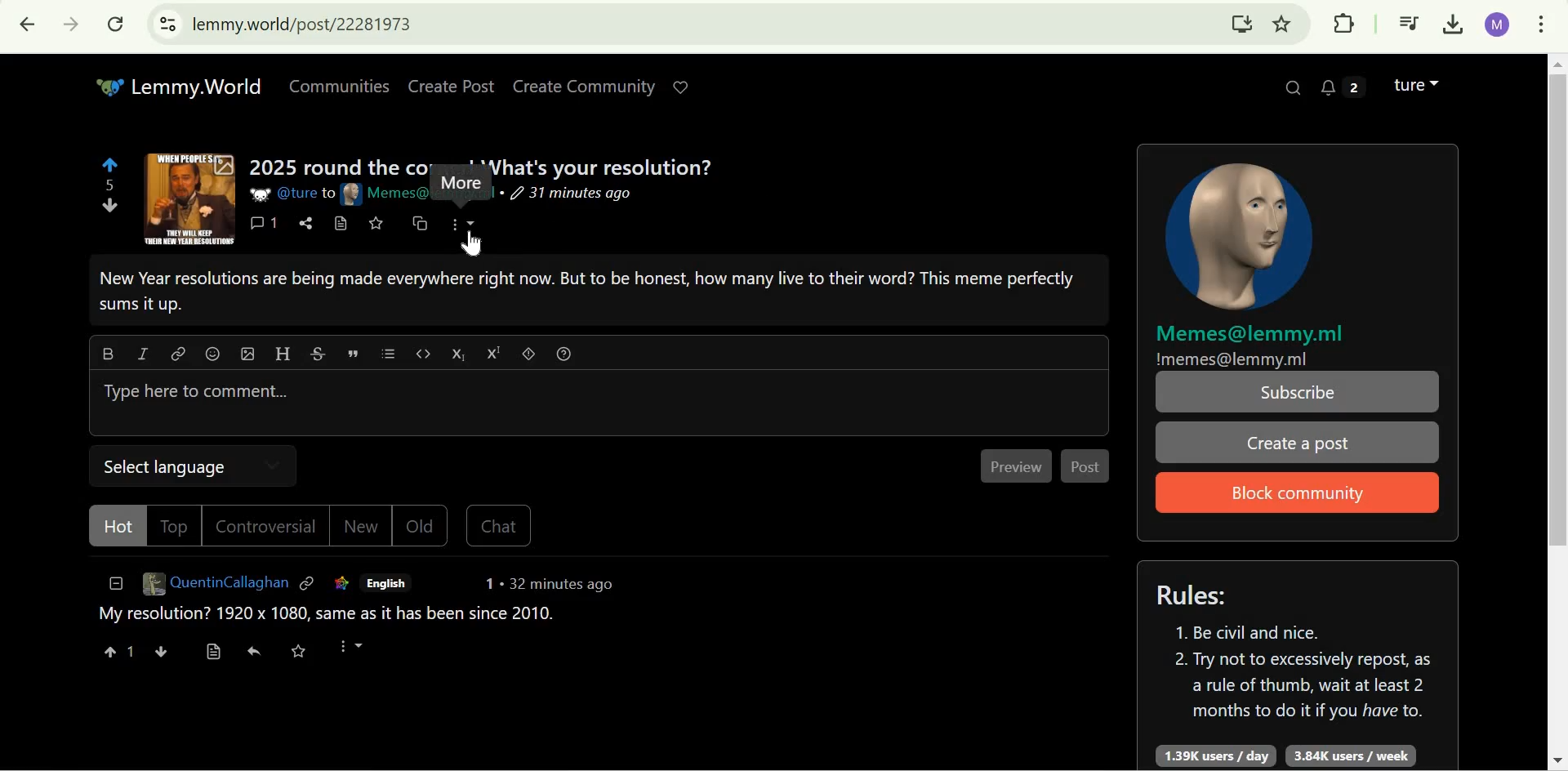 The width and height of the screenshot is (1568, 771). I want to click on community icon, so click(1243, 234).